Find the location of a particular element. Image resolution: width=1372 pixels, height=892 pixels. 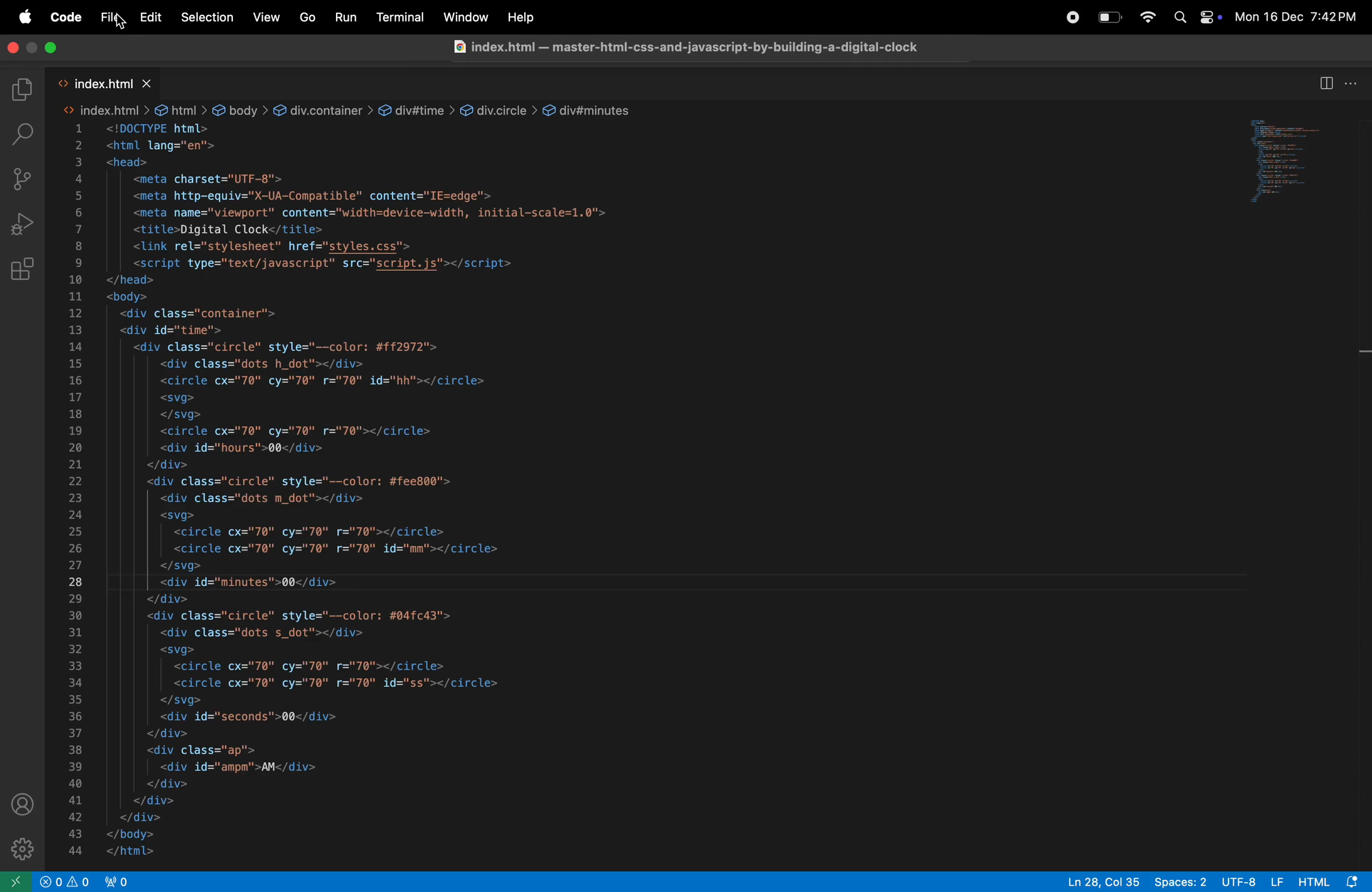

index.html — master-html-css-and-javascript-by-building-a-digital-clock is located at coordinates (687, 46).